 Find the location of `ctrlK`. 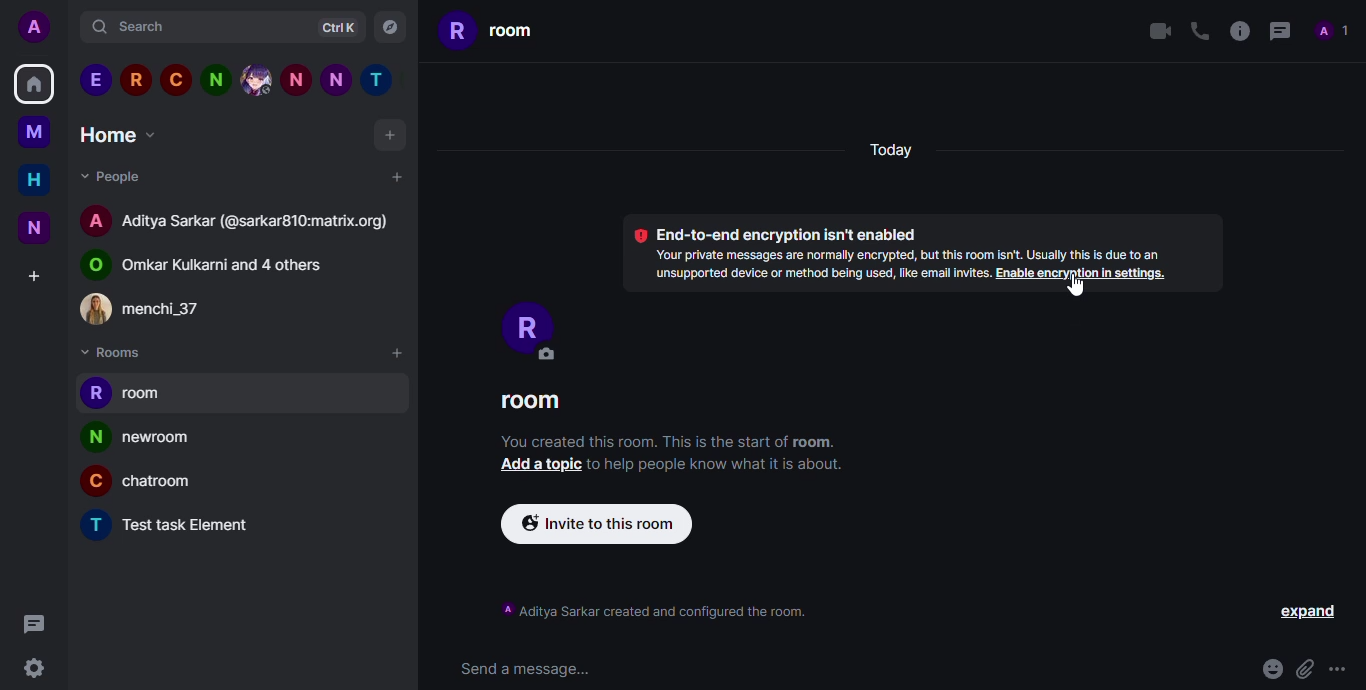

ctrlK is located at coordinates (338, 27).